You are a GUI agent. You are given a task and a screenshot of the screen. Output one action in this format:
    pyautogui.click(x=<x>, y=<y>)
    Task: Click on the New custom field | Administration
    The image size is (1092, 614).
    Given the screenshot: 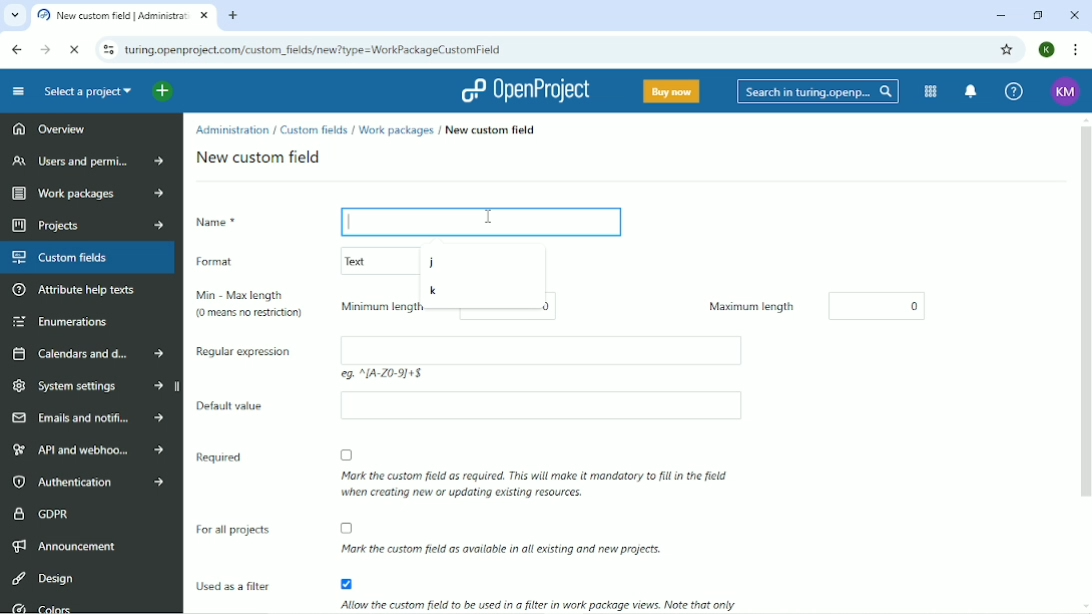 What is the action you would take?
    pyautogui.click(x=125, y=17)
    